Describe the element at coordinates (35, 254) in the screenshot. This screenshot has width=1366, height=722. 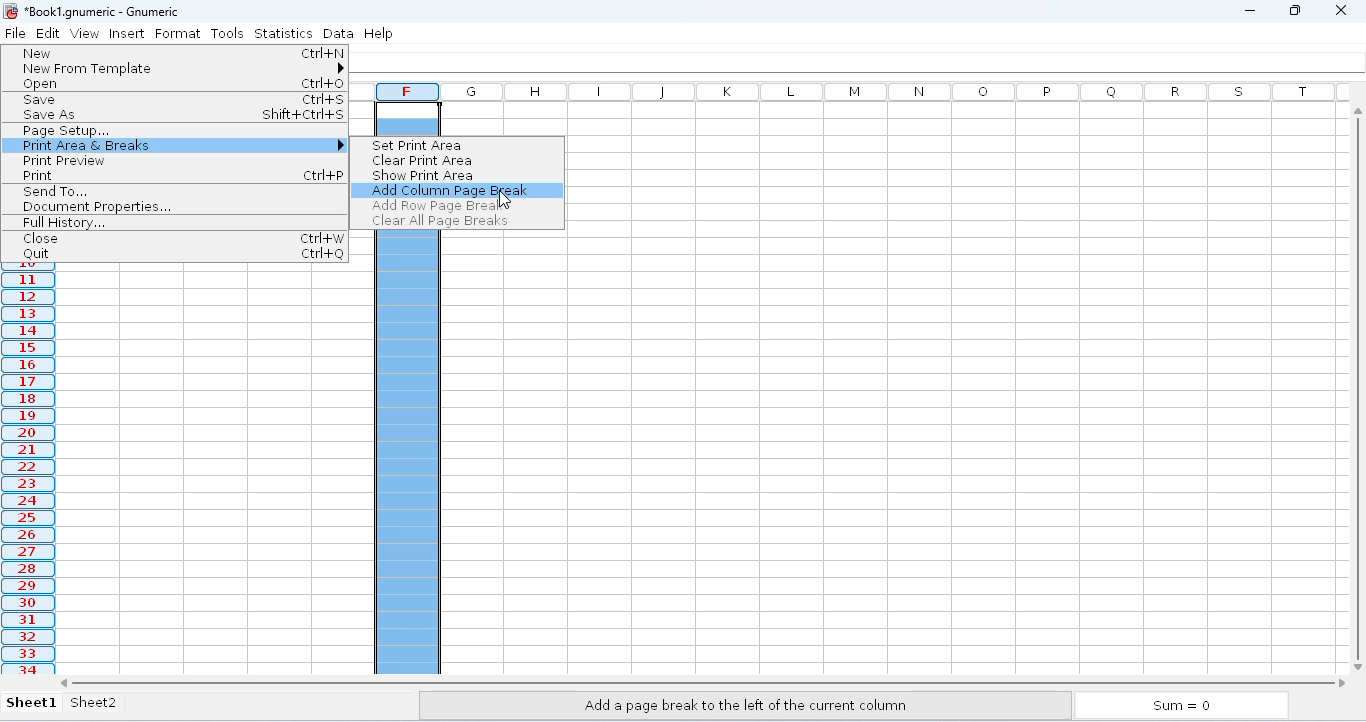
I see `quit` at that location.